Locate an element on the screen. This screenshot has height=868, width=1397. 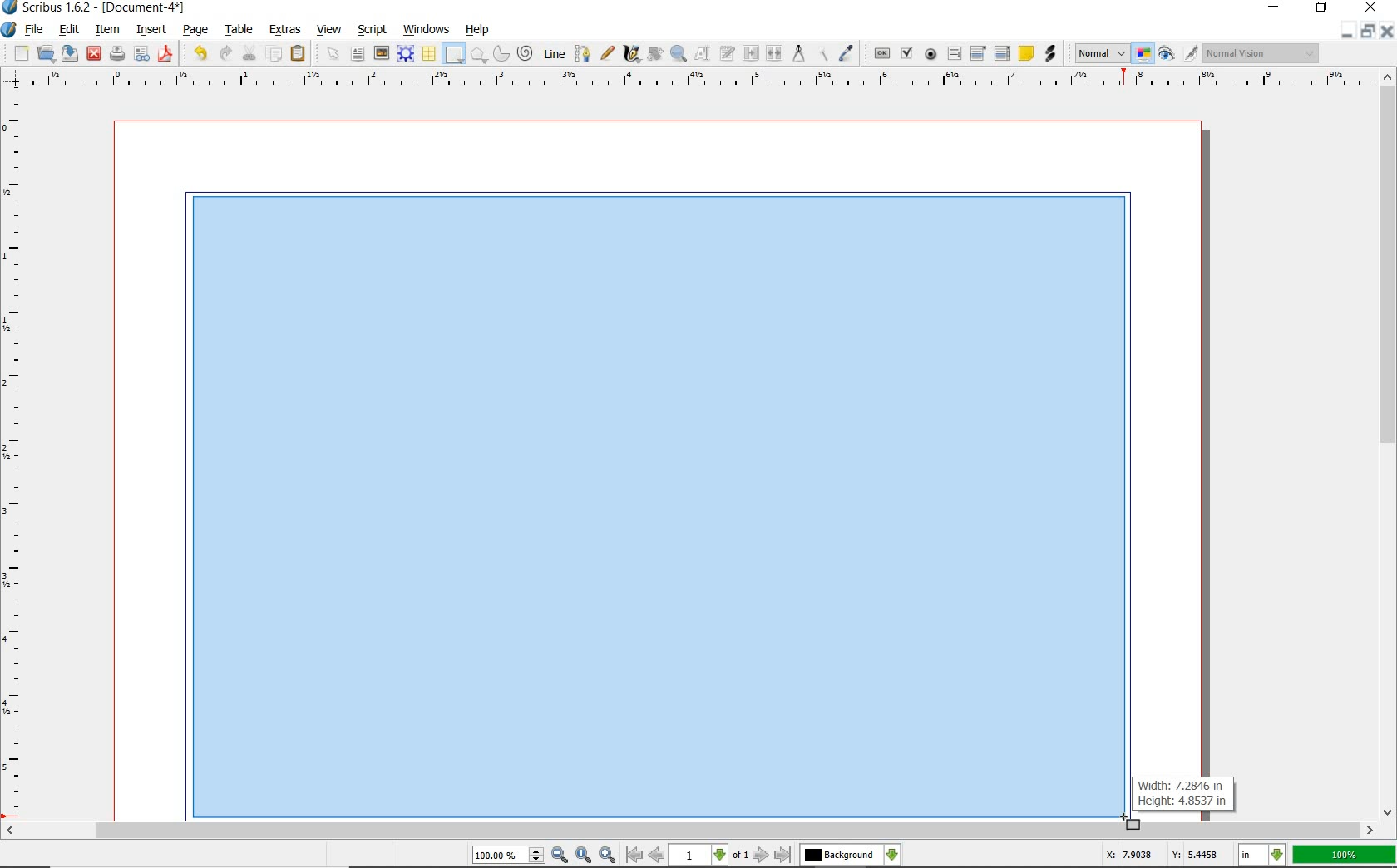
toggle color management is located at coordinates (1144, 55).